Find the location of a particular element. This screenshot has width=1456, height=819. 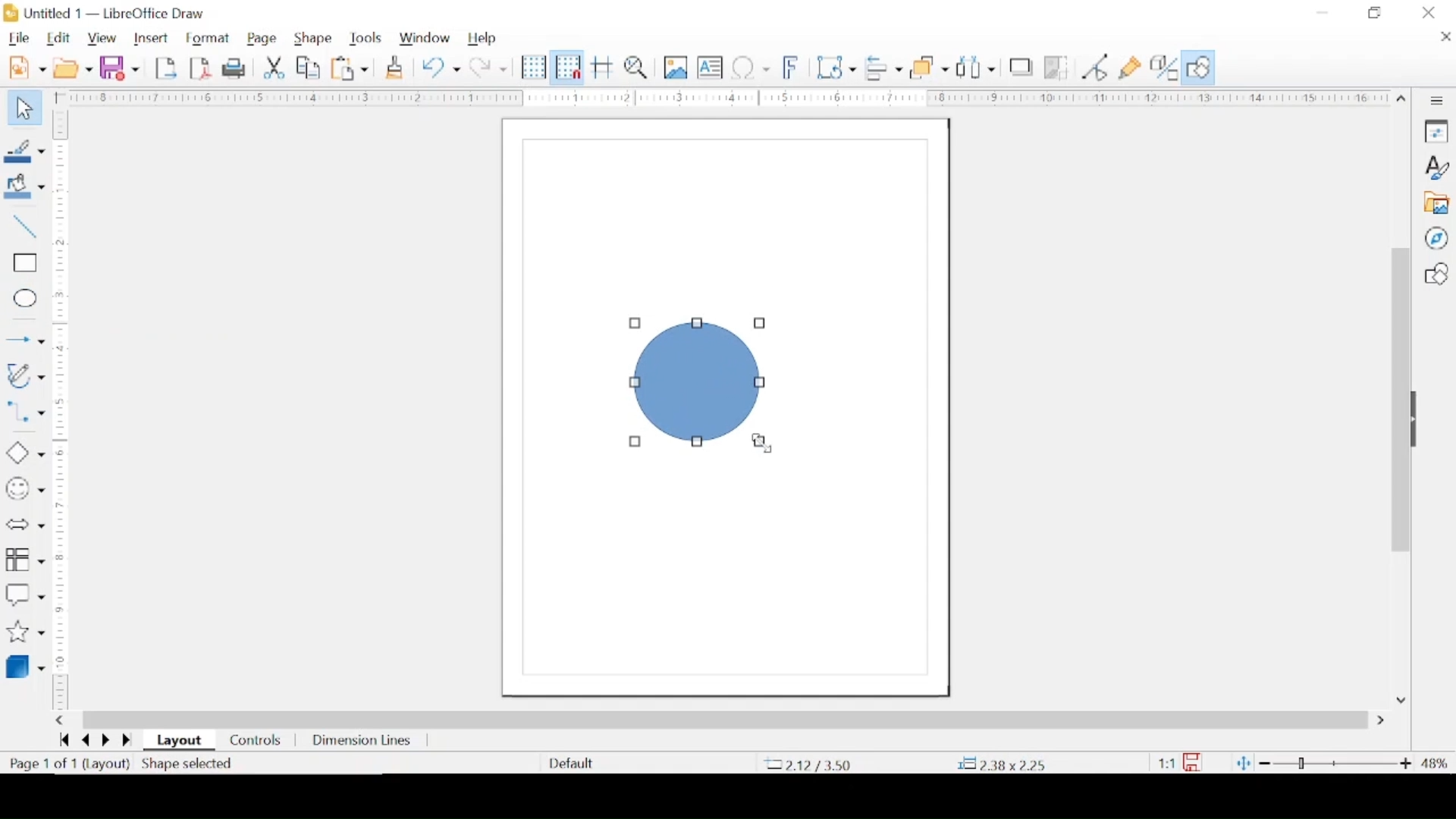

go forwards is located at coordinates (125, 741).